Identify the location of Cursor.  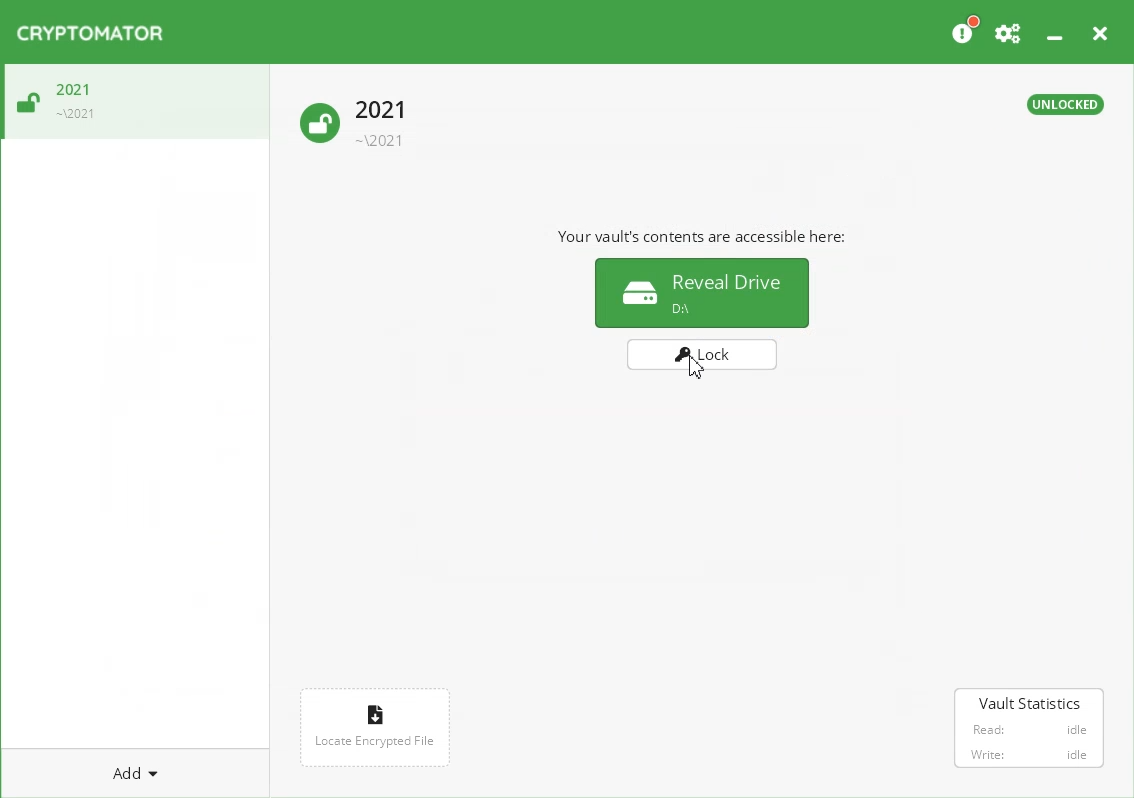
(697, 366).